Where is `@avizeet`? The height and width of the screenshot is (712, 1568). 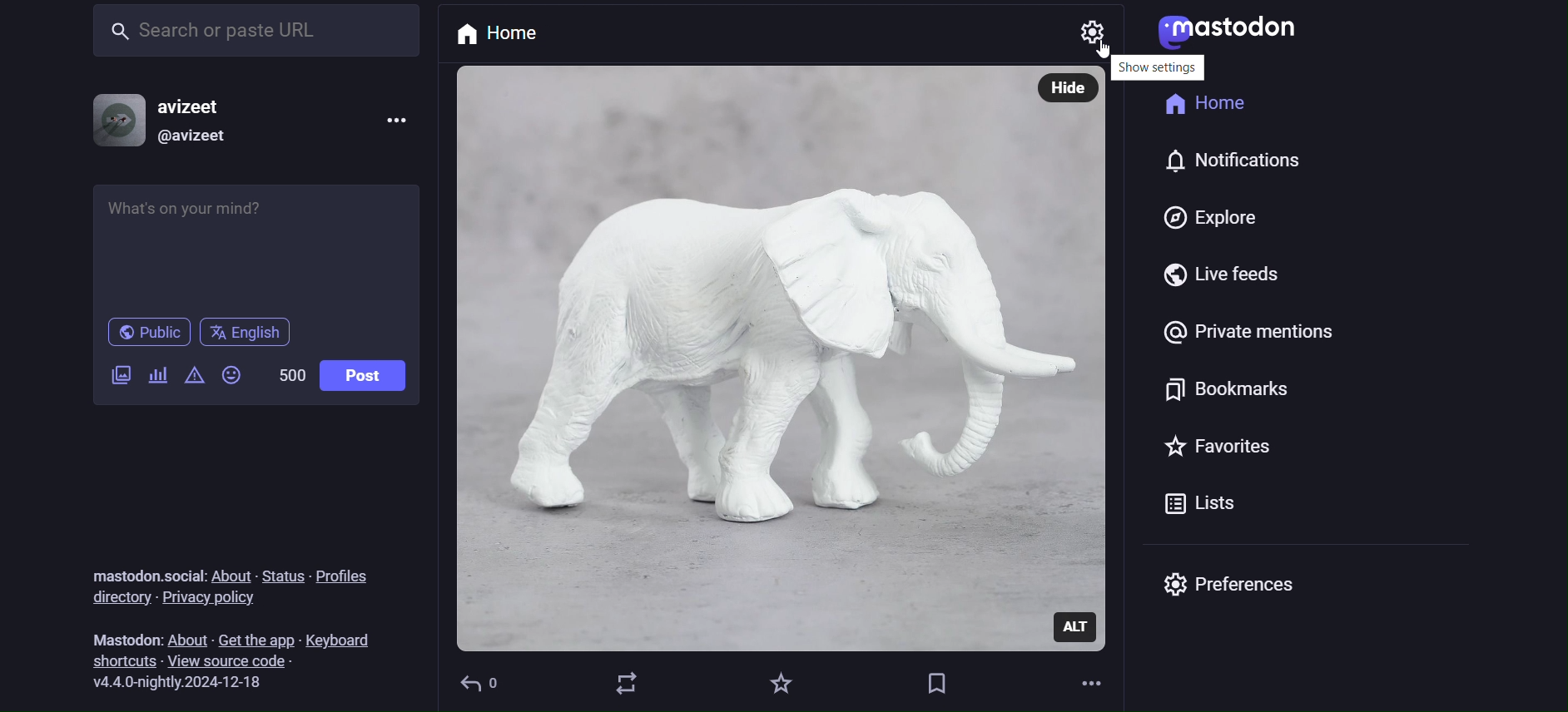 @avizeet is located at coordinates (201, 136).